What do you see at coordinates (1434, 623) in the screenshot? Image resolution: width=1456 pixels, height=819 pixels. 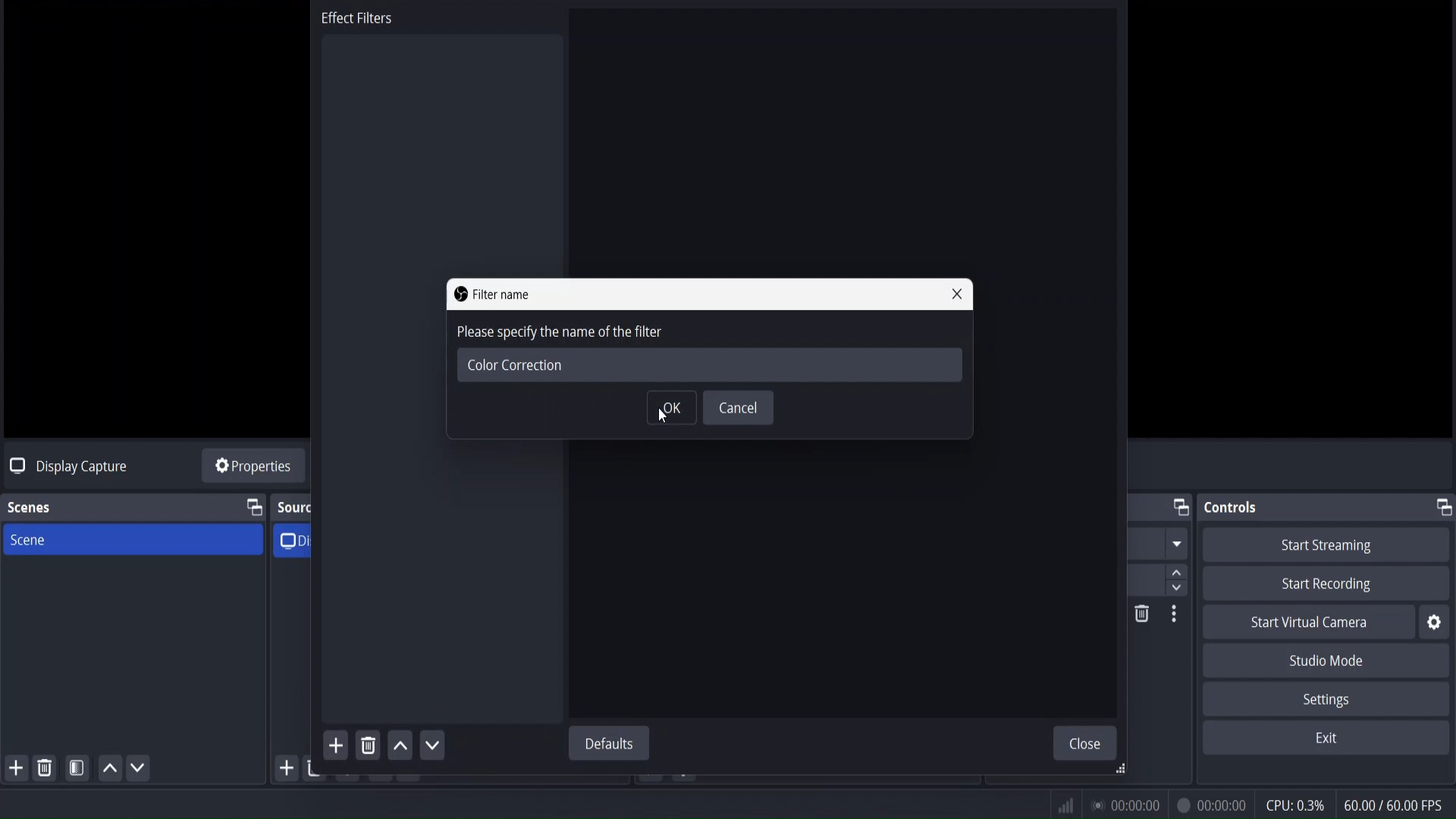 I see `settings` at bounding box center [1434, 623].